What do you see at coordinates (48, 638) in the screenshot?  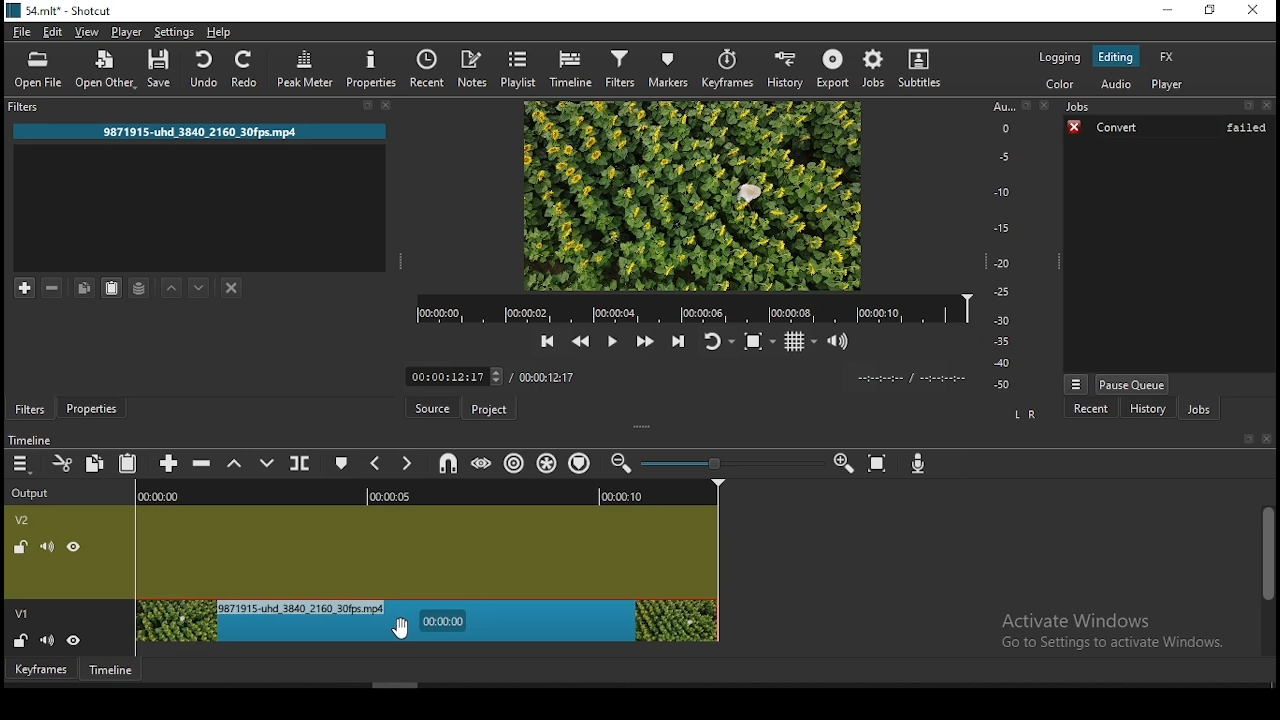 I see `(un)mute` at bounding box center [48, 638].